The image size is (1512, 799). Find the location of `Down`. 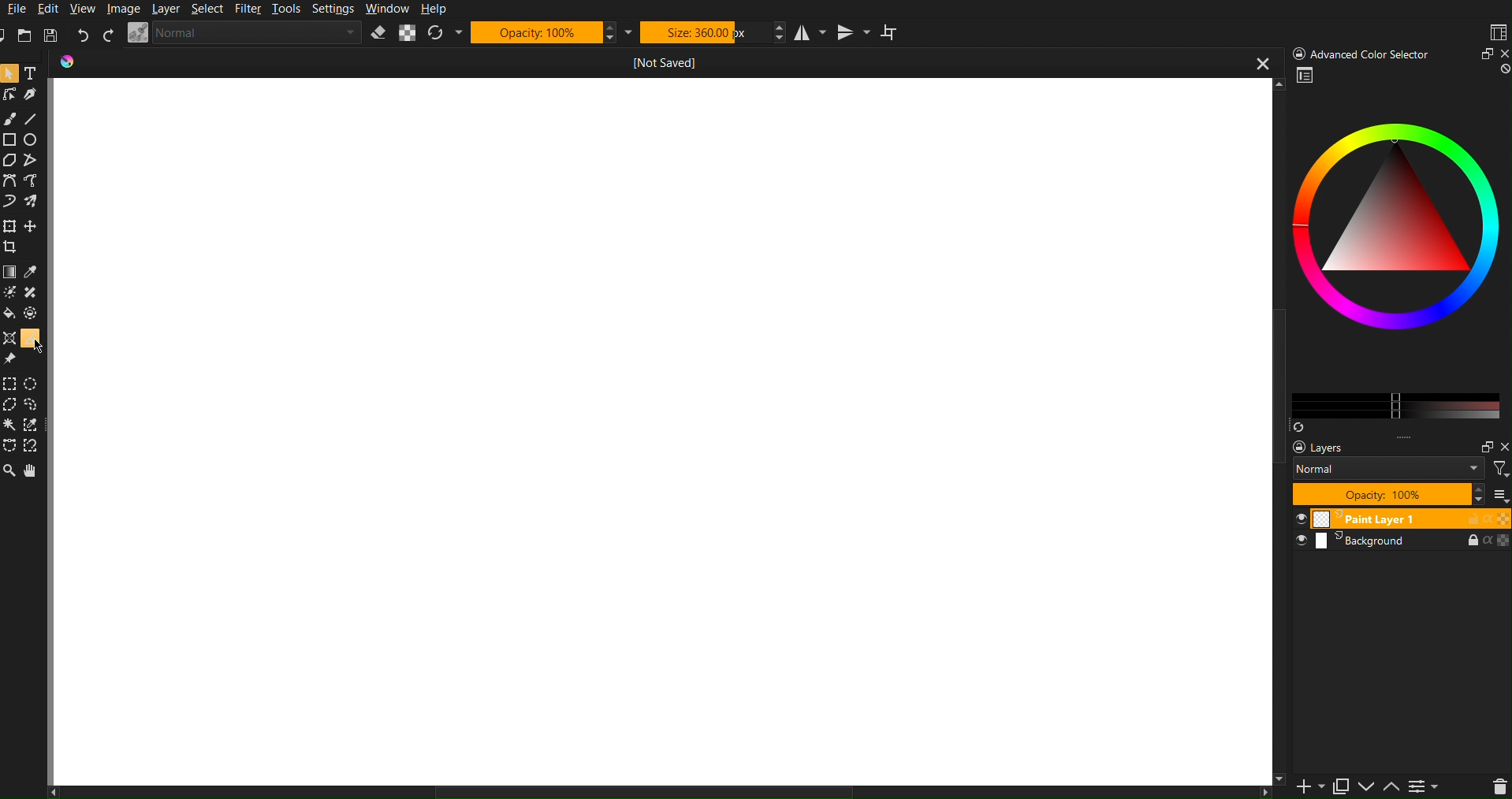

Down is located at coordinates (1371, 788).